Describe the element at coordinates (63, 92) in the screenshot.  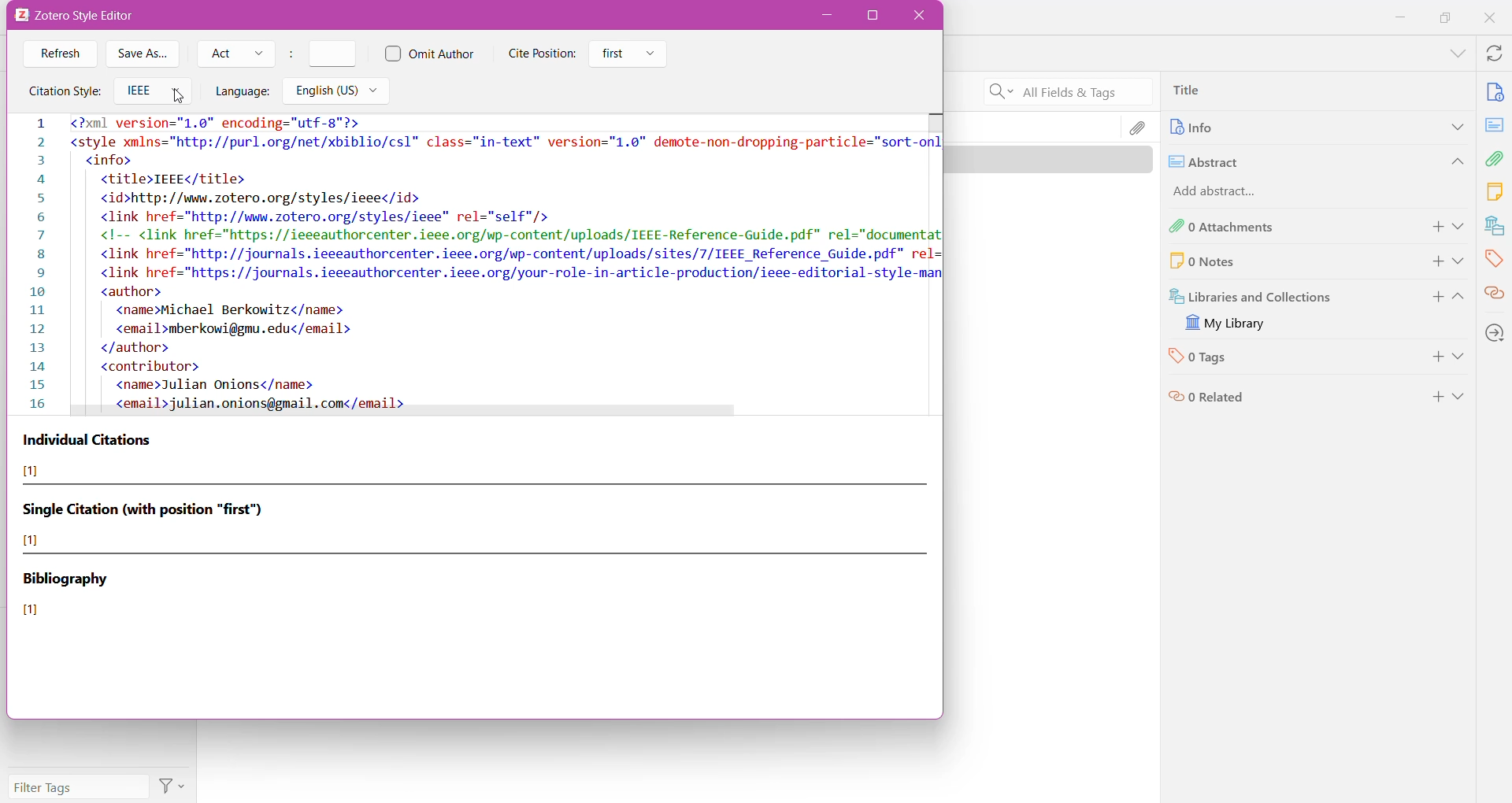
I see `Citation Style` at that location.